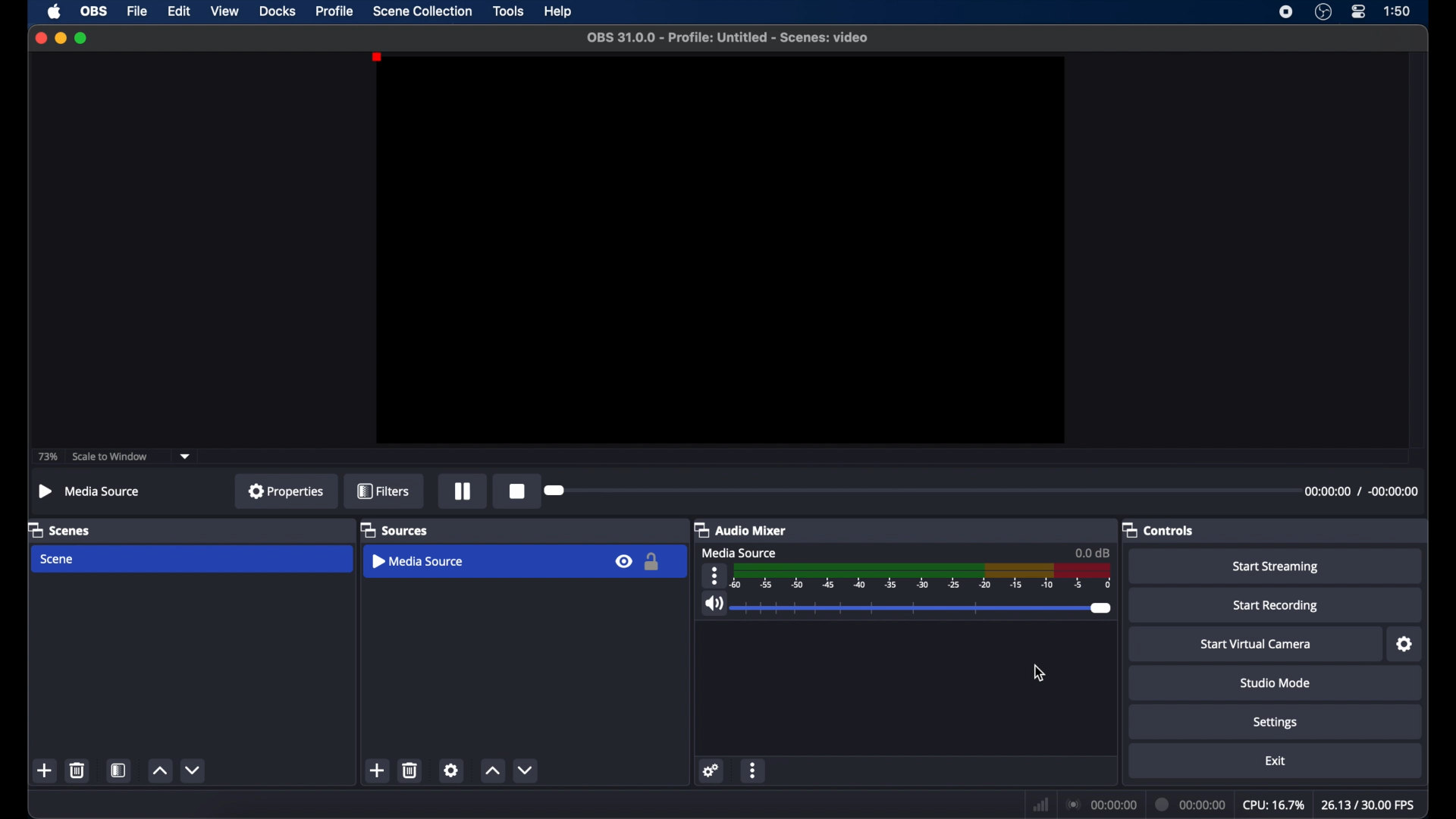 The width and height of the screenshot is (1456, 819). What do you see at coordinates (711, 770) in the screenshot?
I see `settings` at bounding box center [711, 770].